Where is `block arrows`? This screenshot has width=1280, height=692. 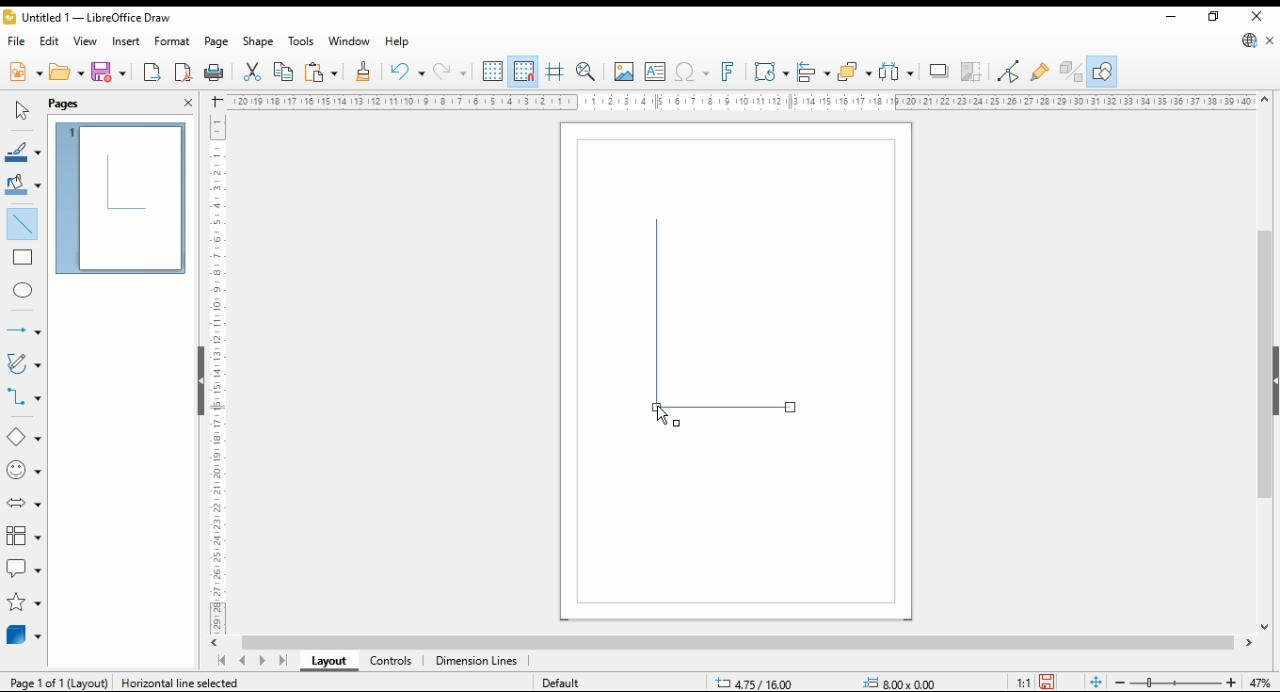 block arrows is located at coordinates (25, 504).